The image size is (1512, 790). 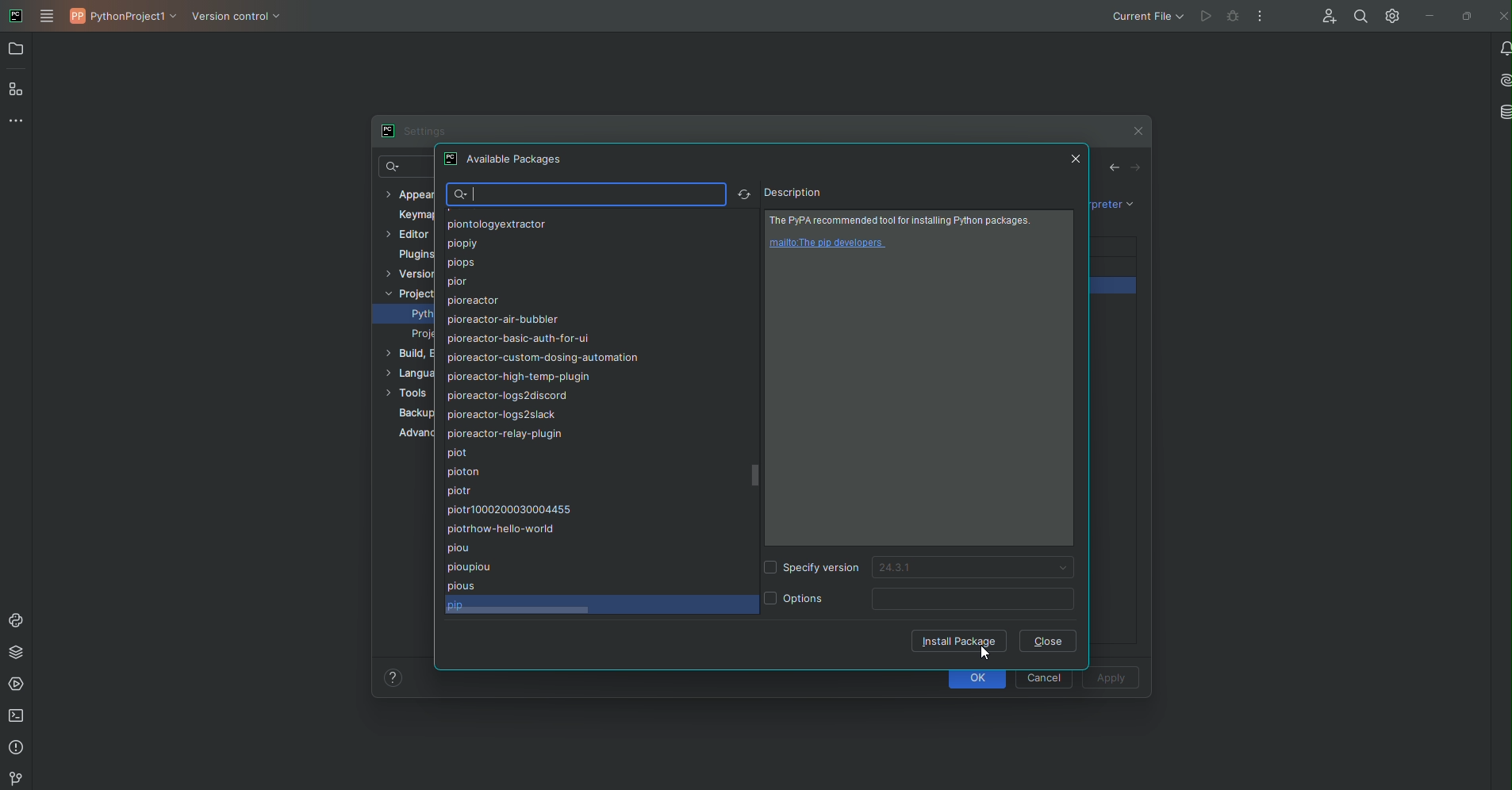 What do you see at coordinates (409, 194) in the screenshot?
I see `Appearance and behavior` at bounding box center [409, 194].